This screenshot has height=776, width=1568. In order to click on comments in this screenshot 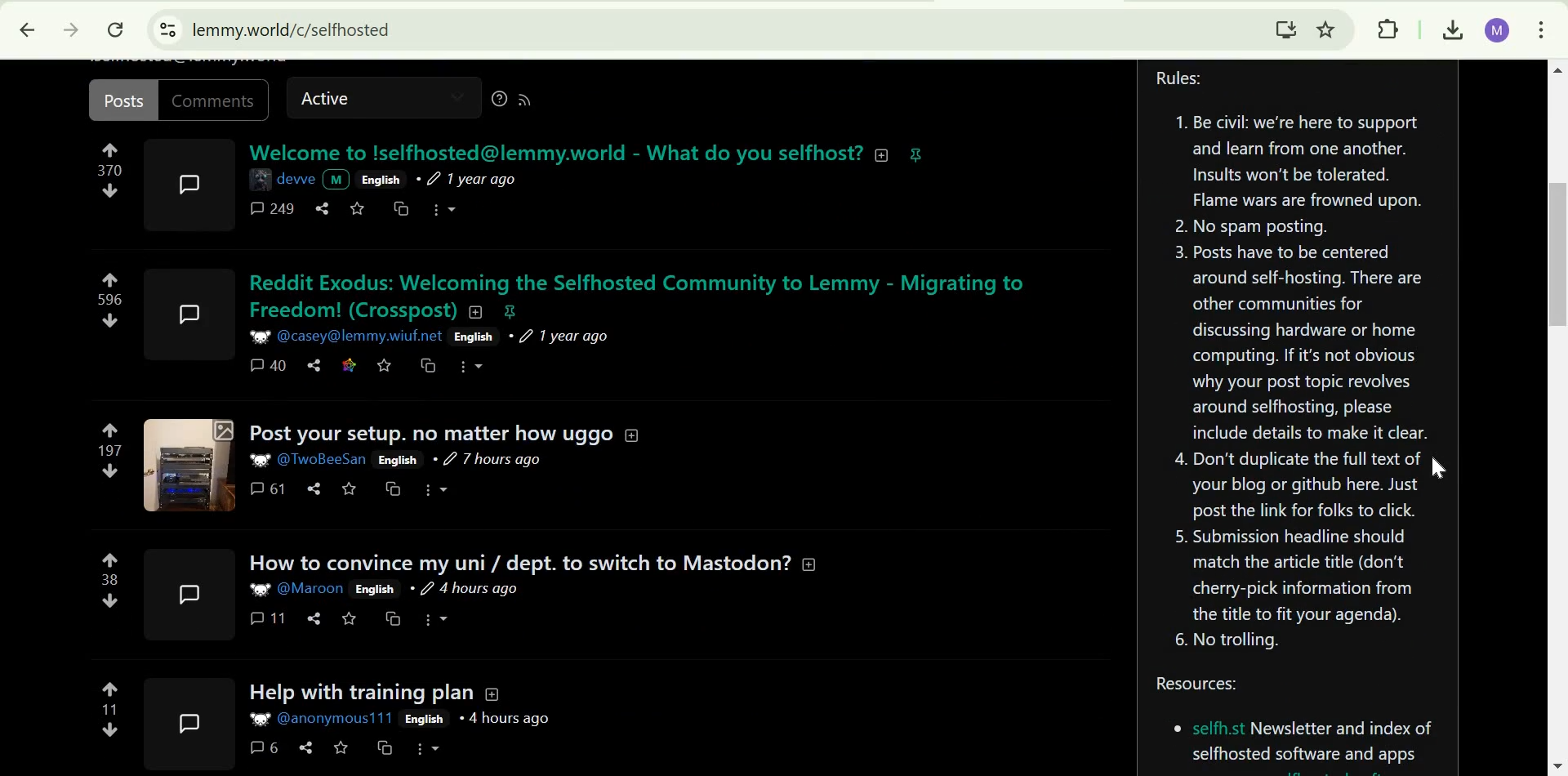, I will do `click(269, 210)`.